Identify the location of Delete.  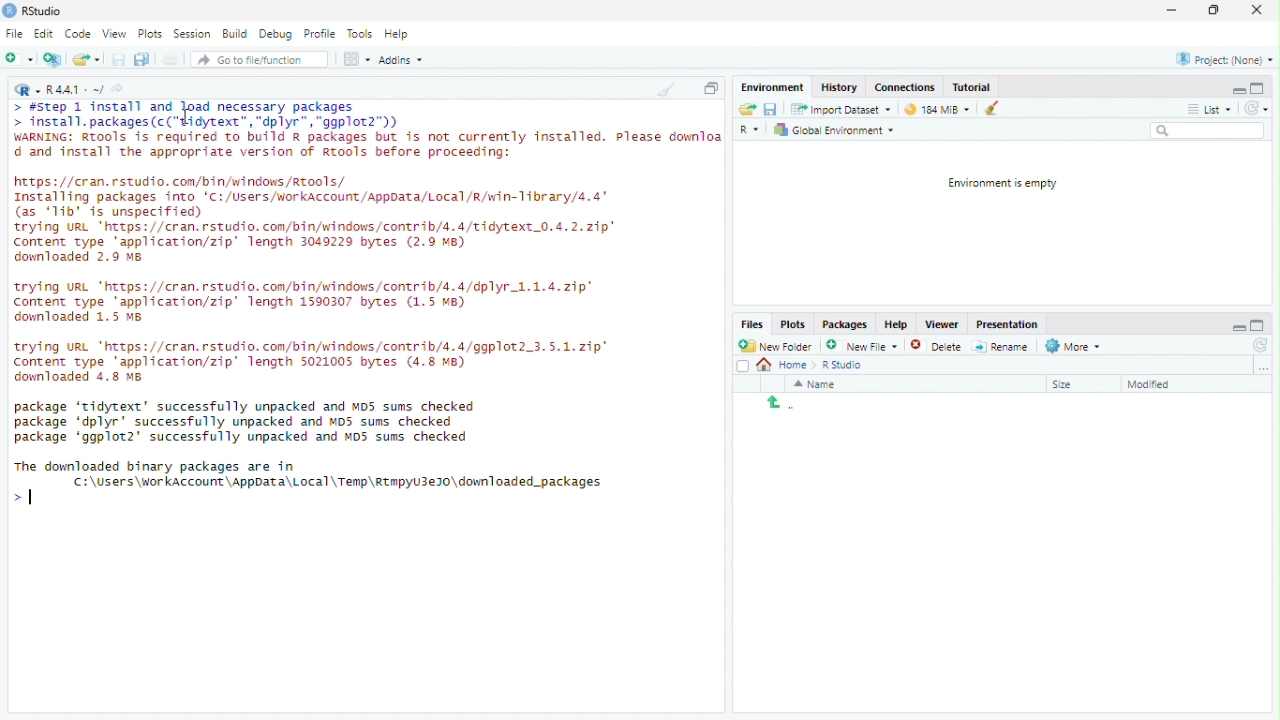
(923, 346).